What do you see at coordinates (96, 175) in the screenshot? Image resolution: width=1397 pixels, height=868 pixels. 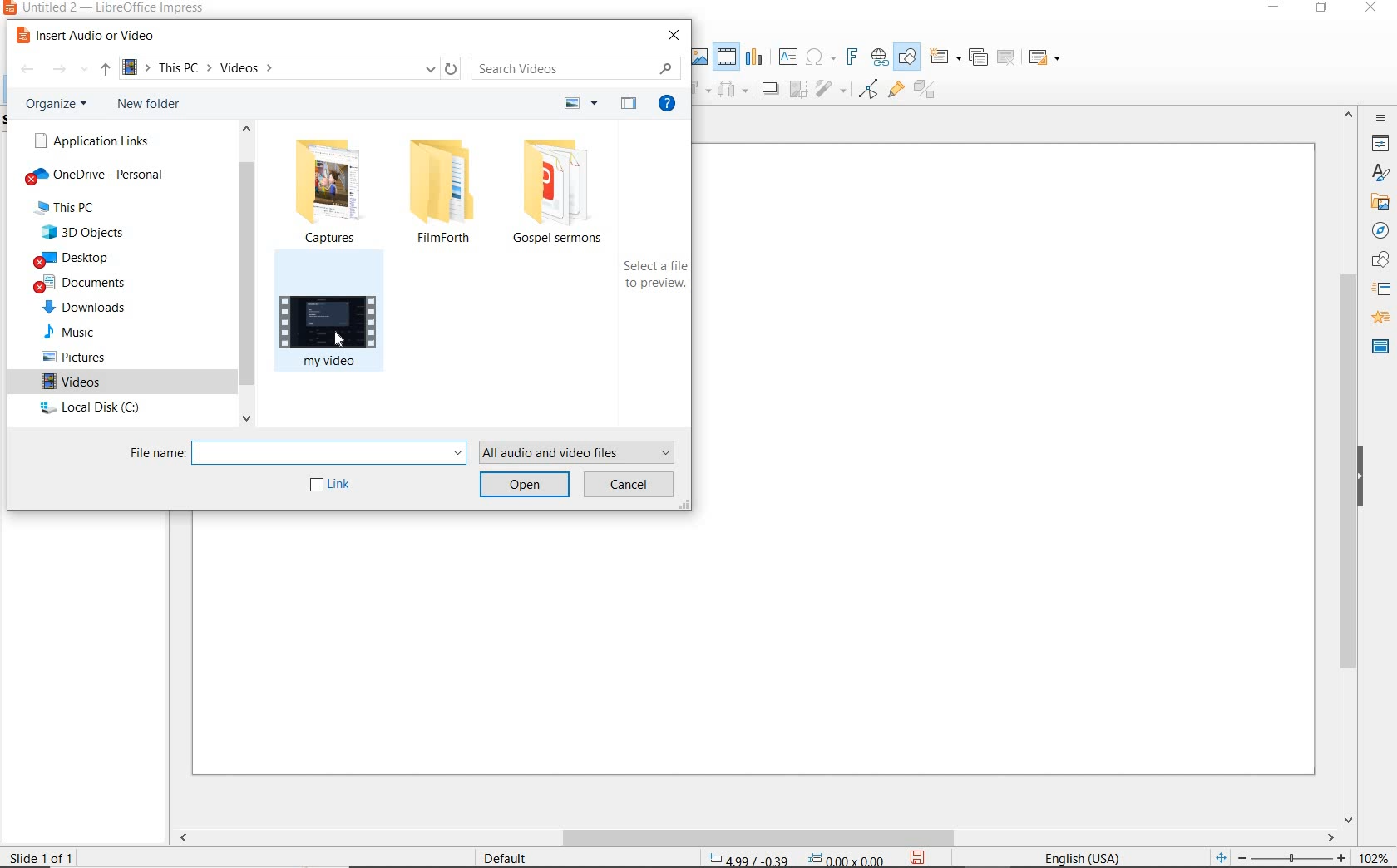 I see `OneDrive` at bounding box center [96, 175].